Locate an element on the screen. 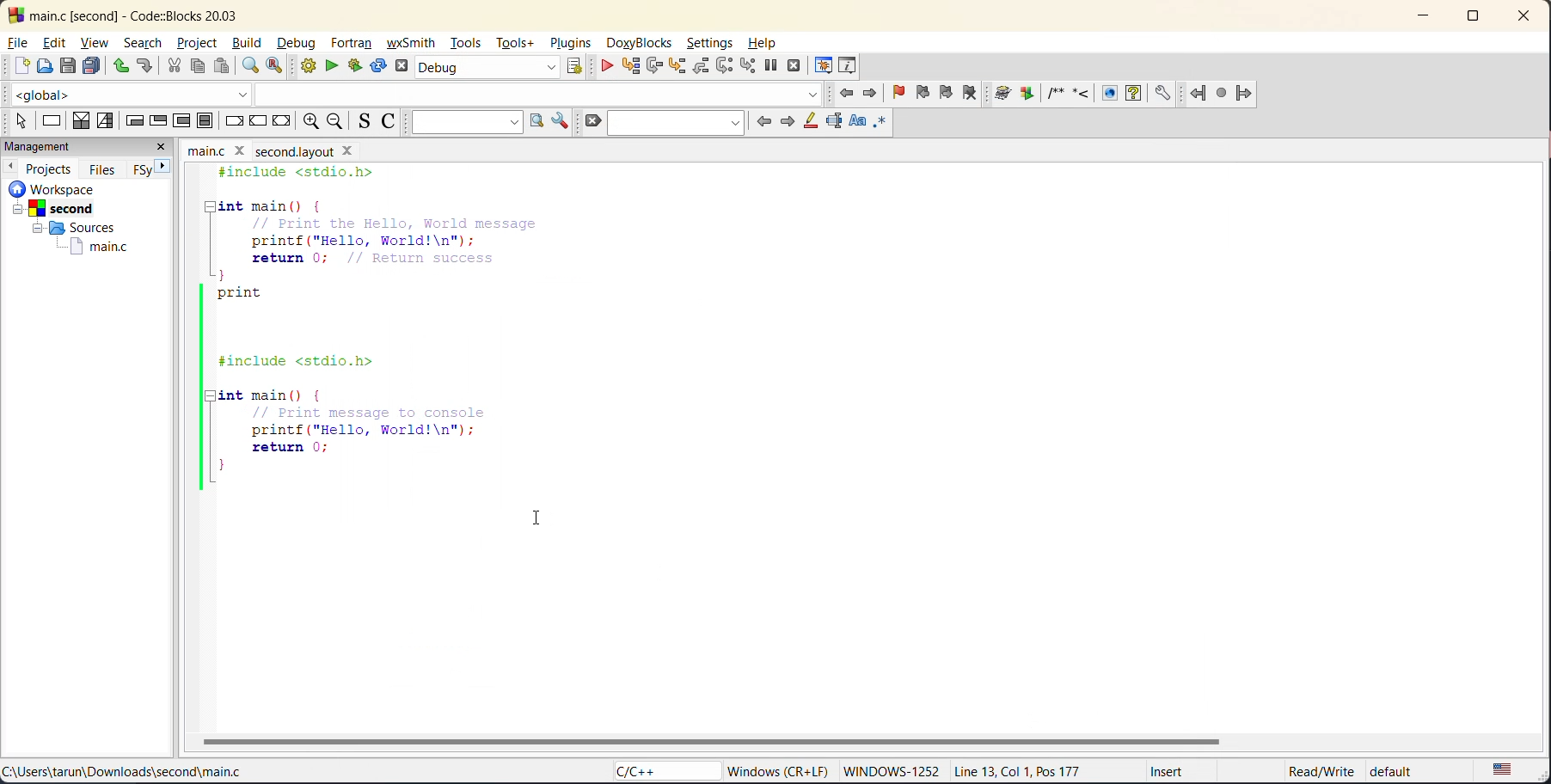  counting loop is located at coordinates (184, 120).